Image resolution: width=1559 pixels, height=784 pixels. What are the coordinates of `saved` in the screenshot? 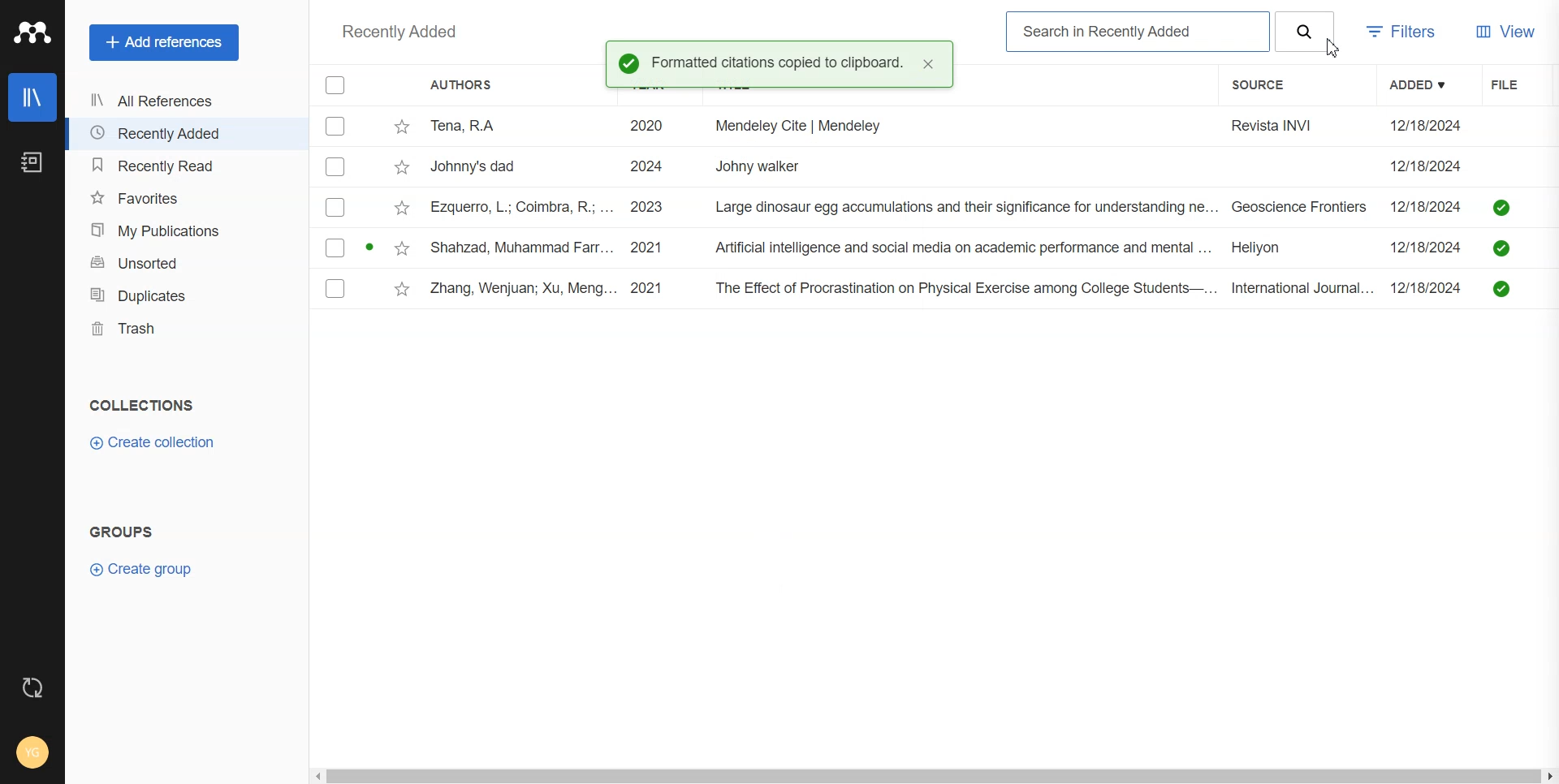 It's located at (1501, 250).